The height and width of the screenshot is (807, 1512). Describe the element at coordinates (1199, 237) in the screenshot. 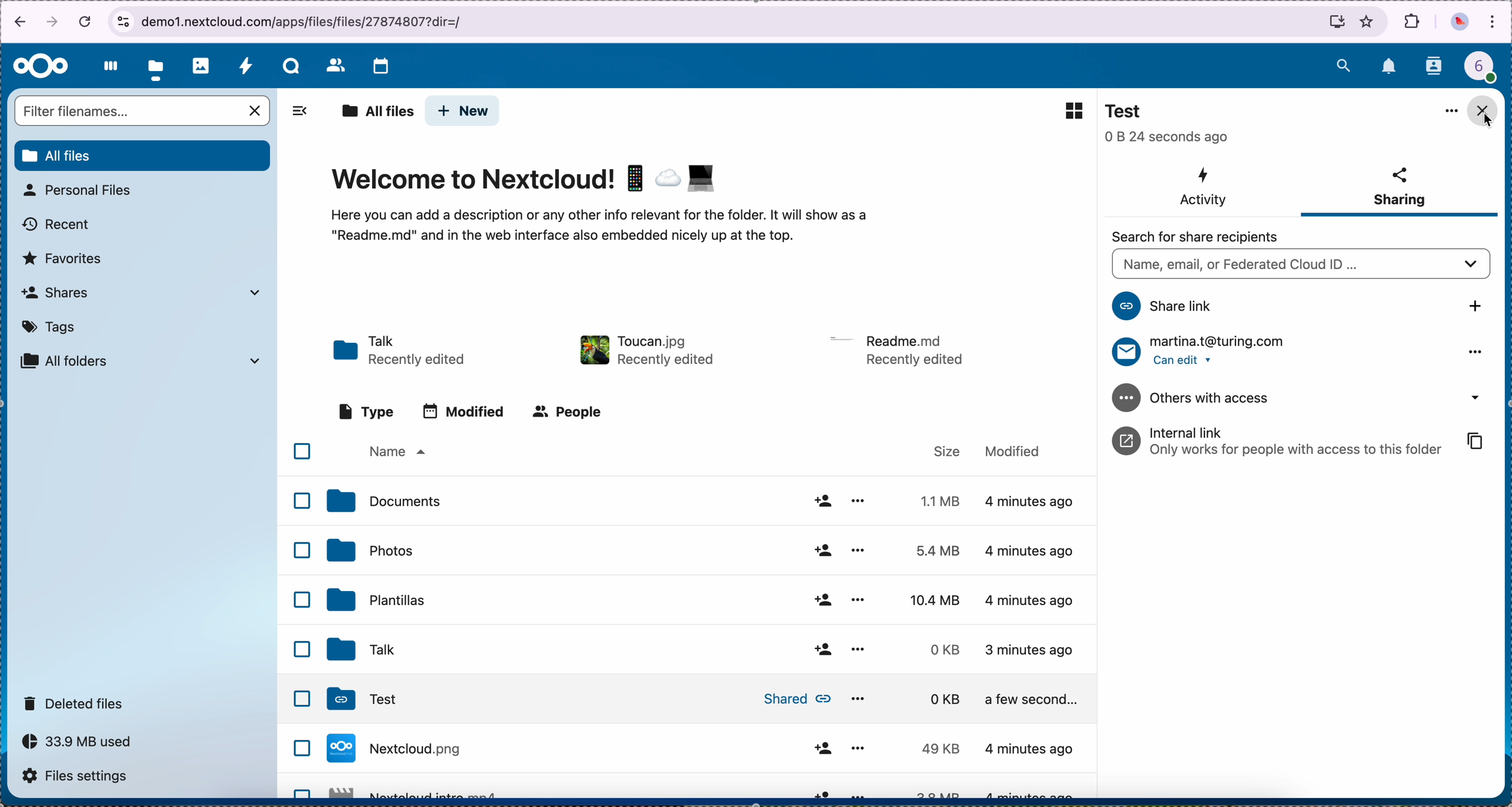

I see `search` at that location.